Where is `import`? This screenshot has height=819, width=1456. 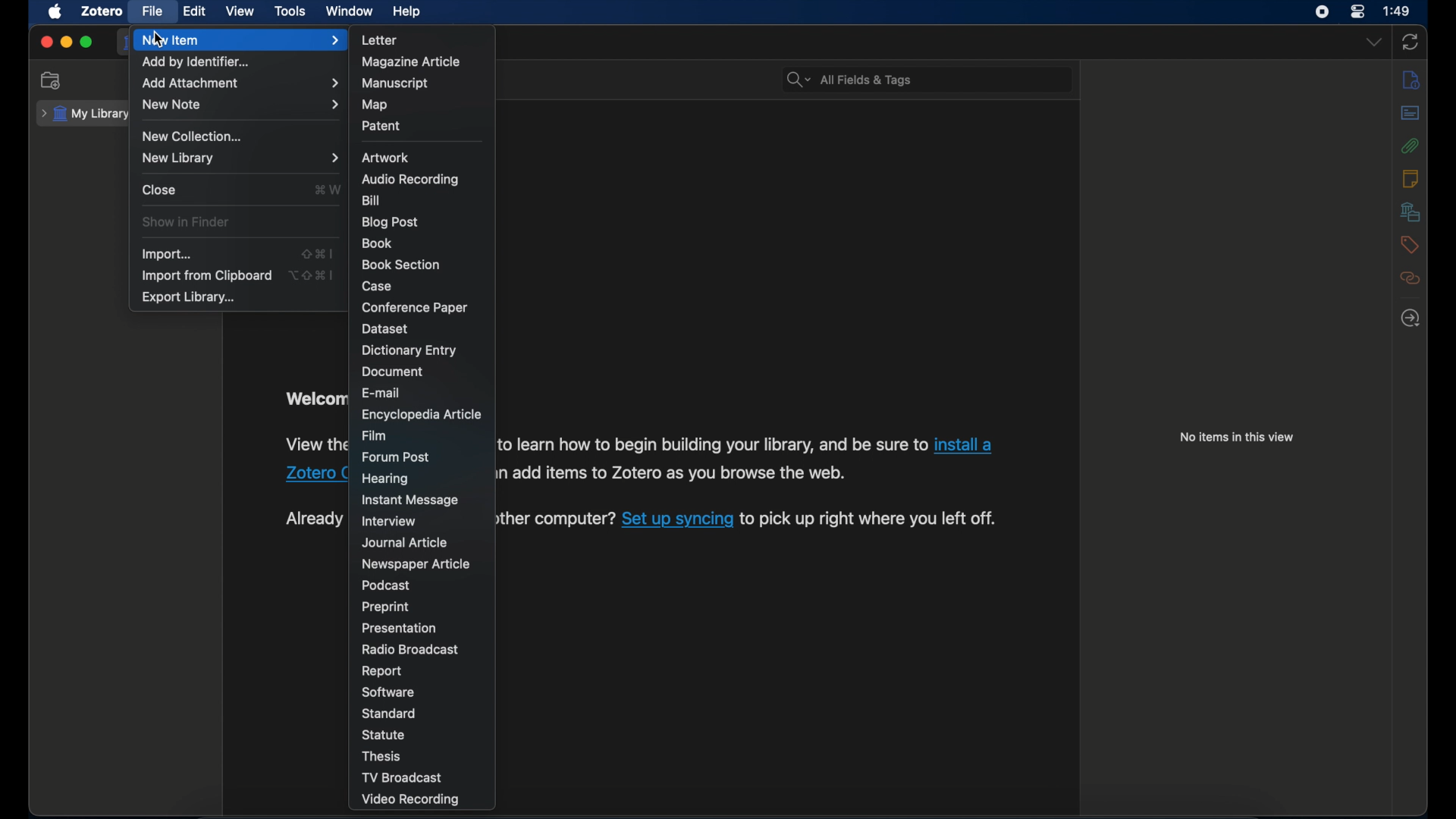 import is located at coordinates (168, 253).